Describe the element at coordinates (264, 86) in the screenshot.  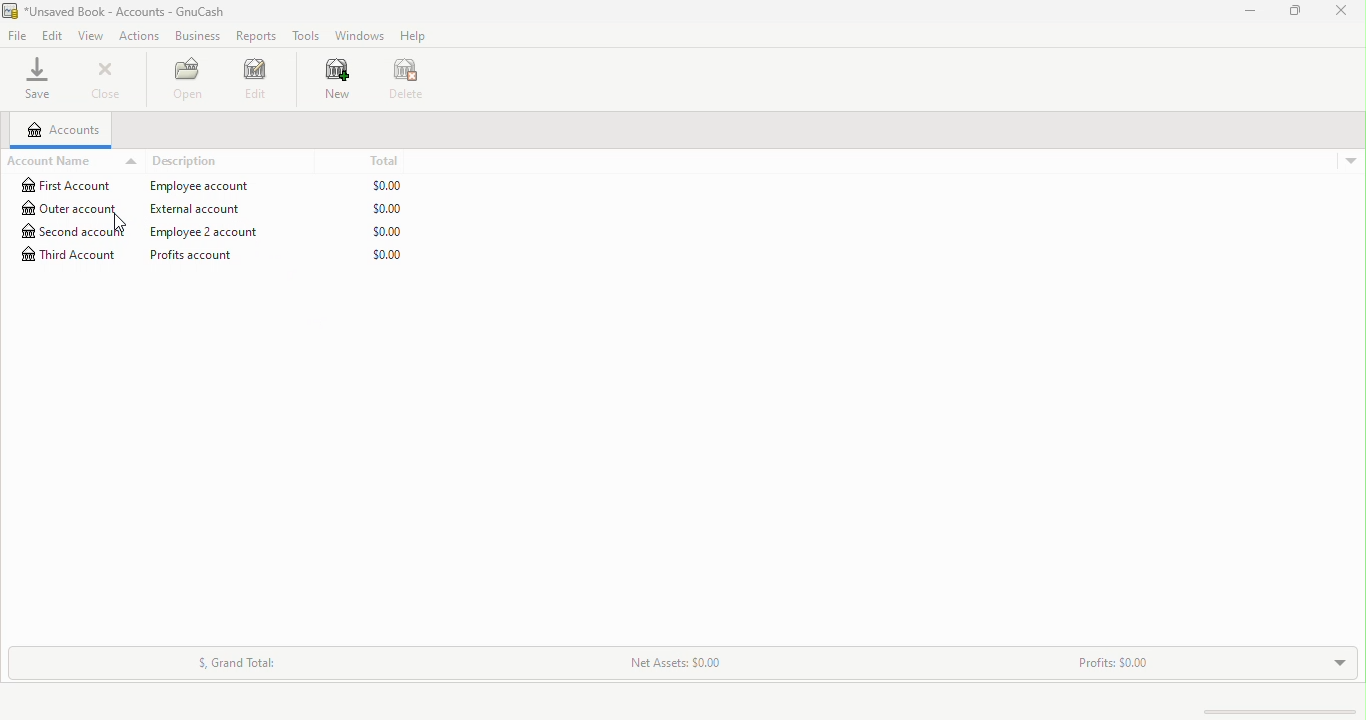
I see `Edit` at that location.